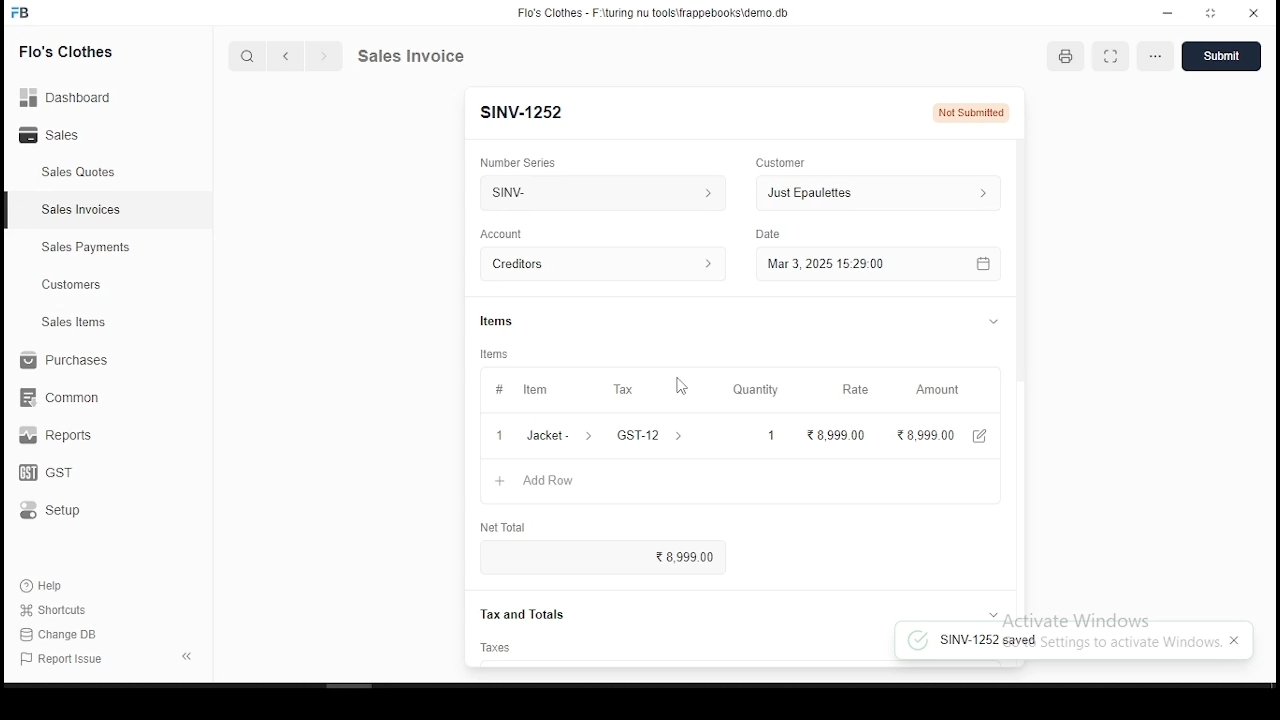 The image size is (1280, 720). What do you see at coordinates (1227, 56) in the screenshot?
I see `submit` at bounding box center [1227, 56].